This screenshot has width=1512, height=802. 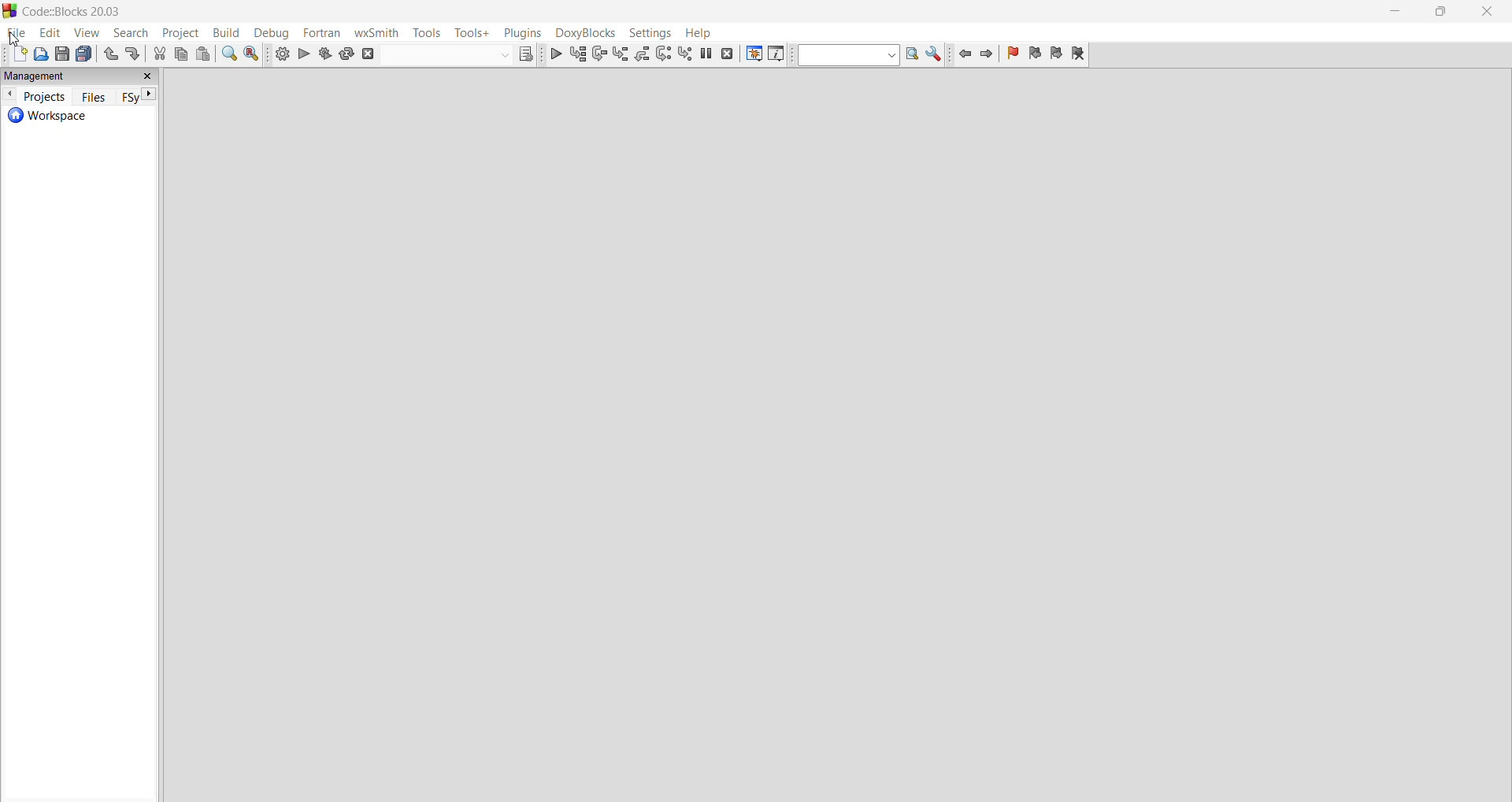 What do you see at coordinates (705, 54) in the screenshot?
I see `break debugger` at bounding box center [705, 54].